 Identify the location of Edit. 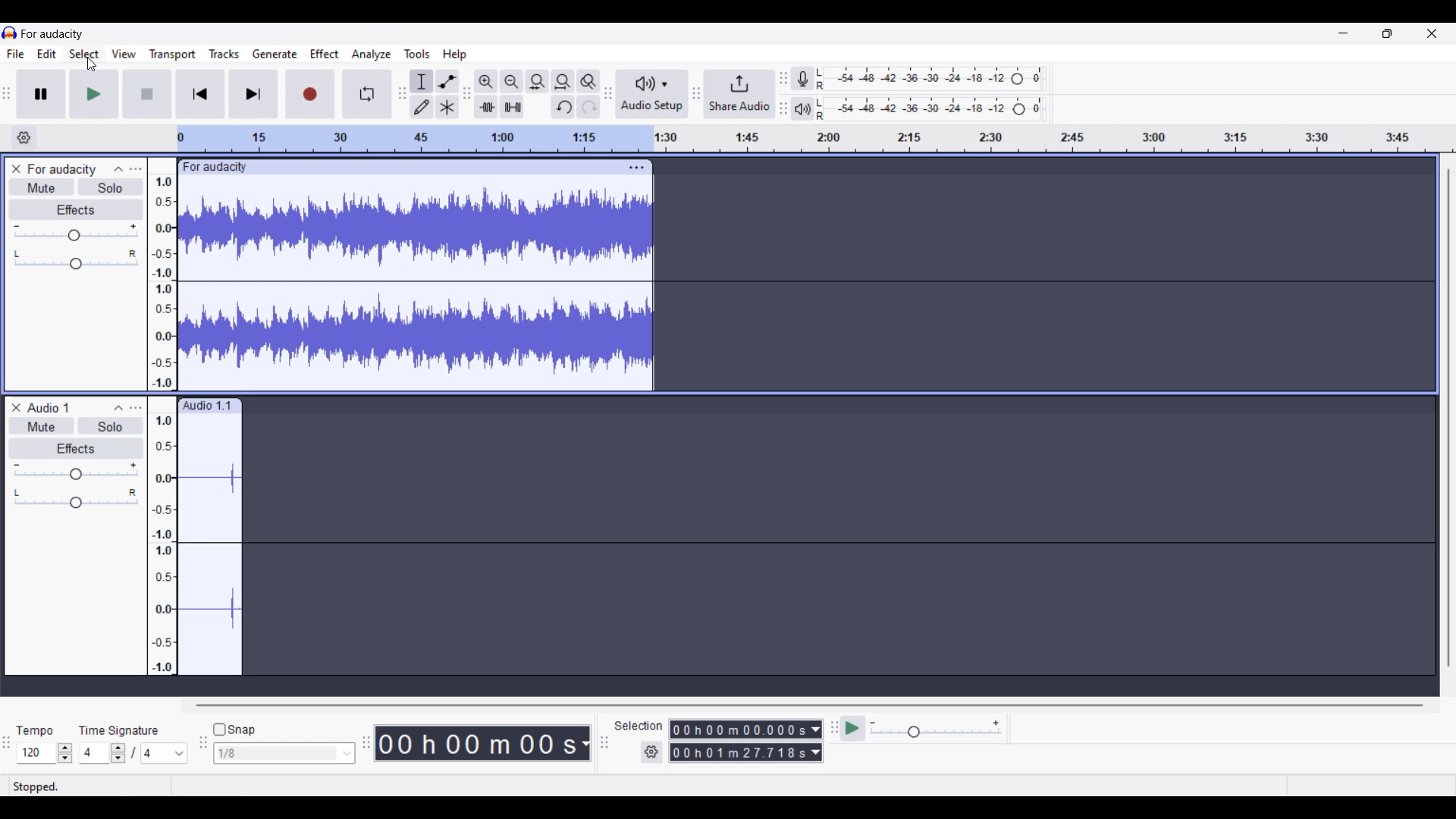
(47, 54).